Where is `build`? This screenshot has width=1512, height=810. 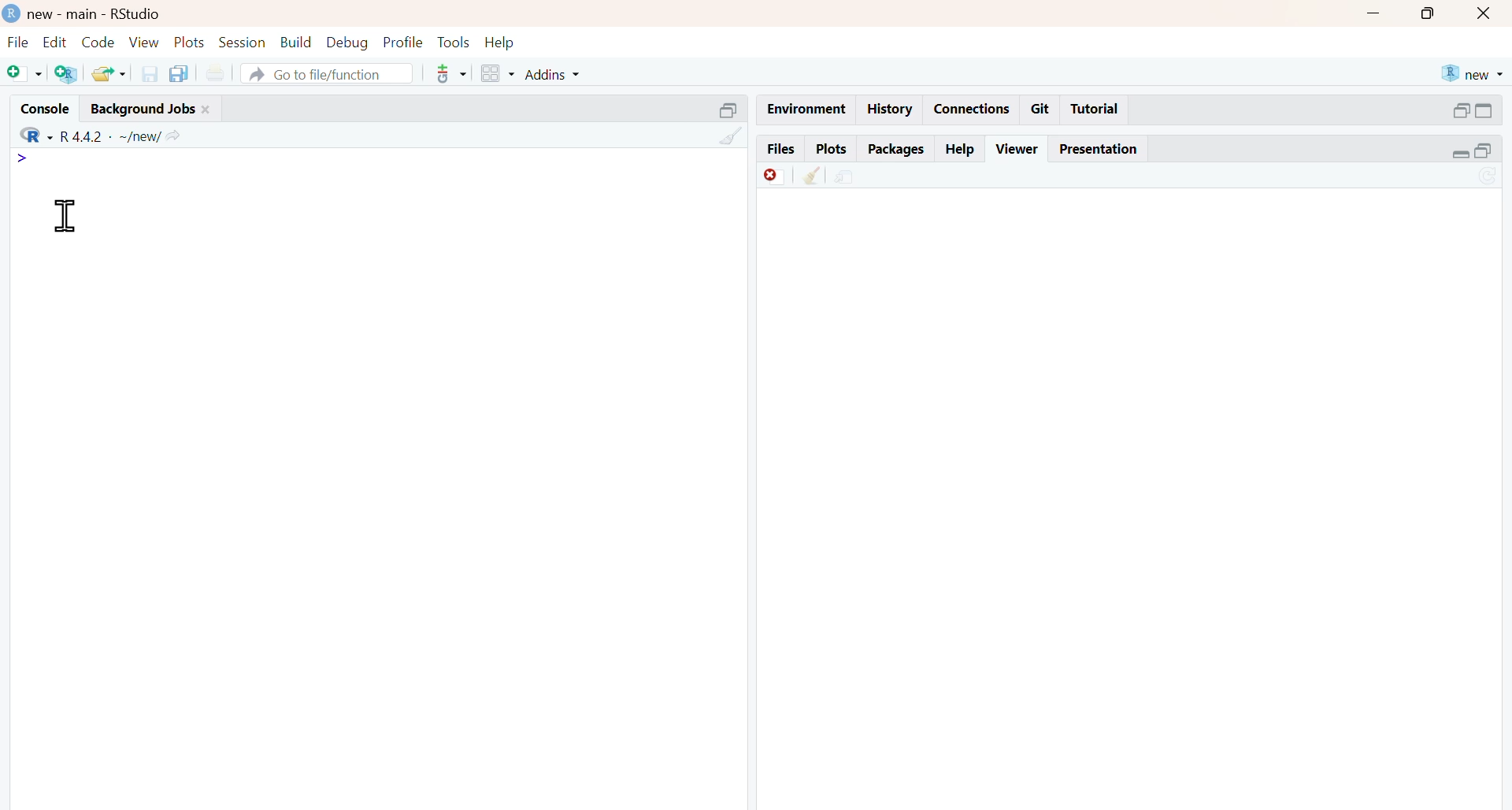 build is located at coordinates (297, 43).